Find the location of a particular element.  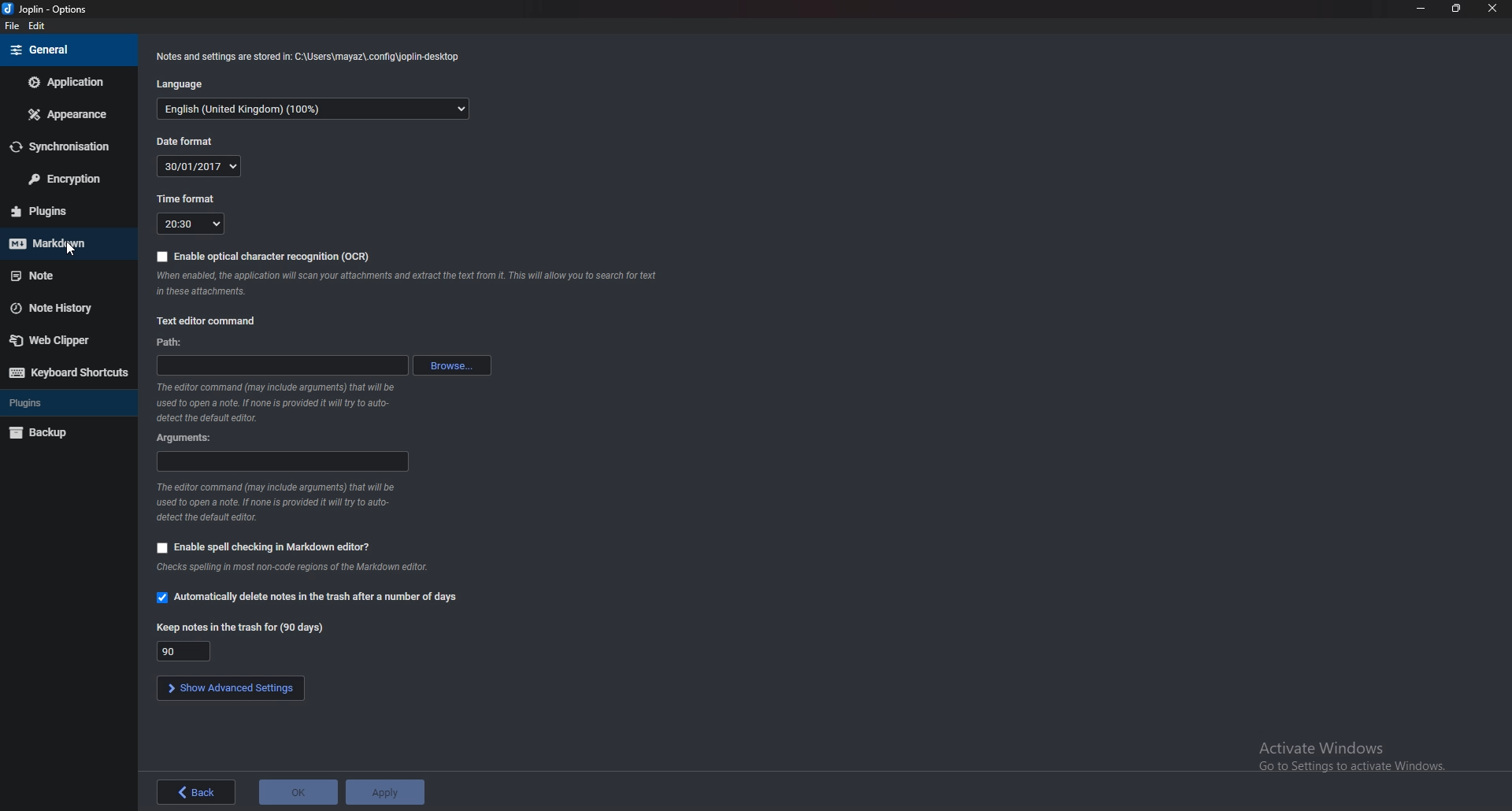

Apply is located at coordinates (384, 791).